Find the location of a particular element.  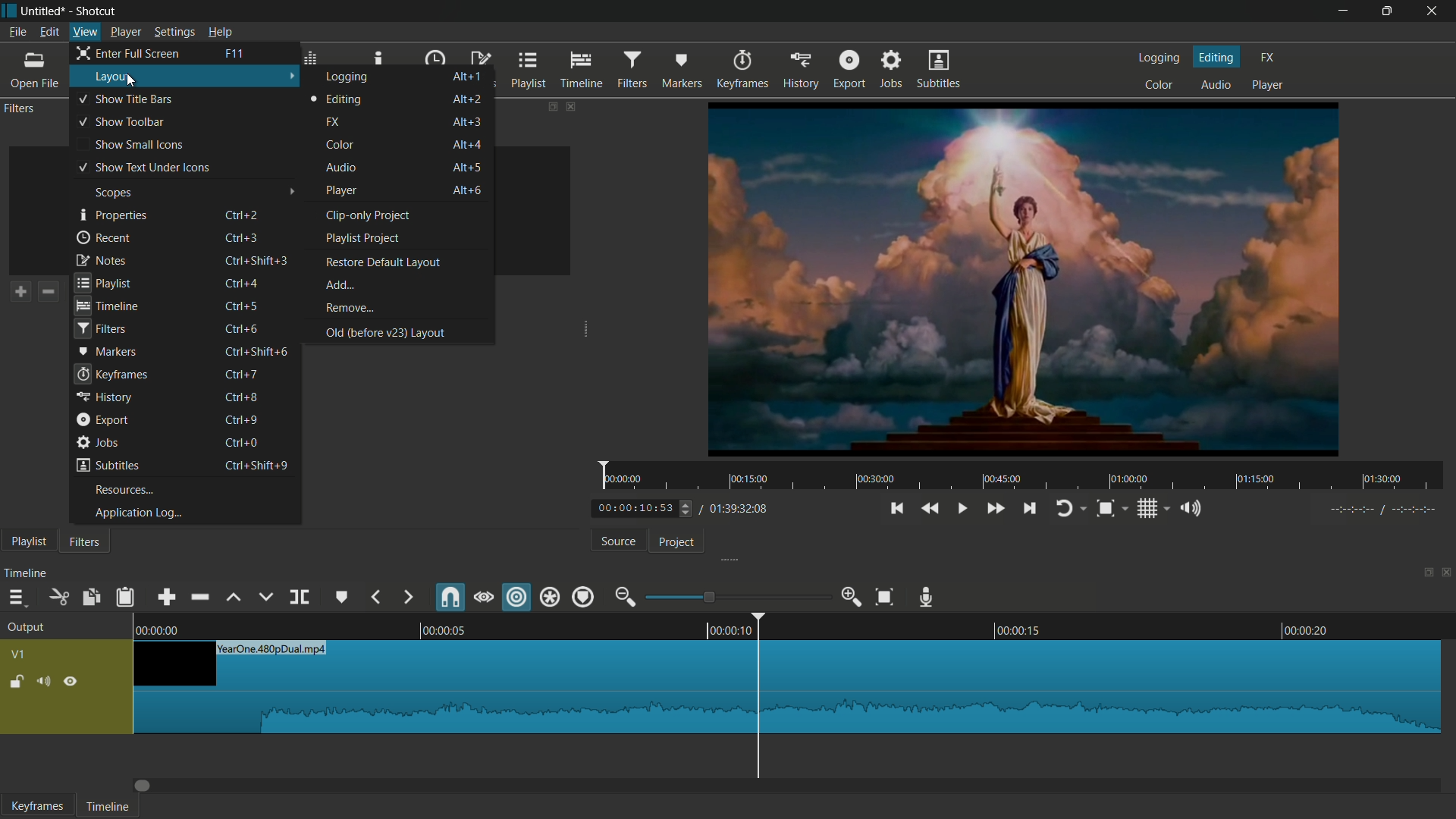

color is located at coordinates (340, 145).